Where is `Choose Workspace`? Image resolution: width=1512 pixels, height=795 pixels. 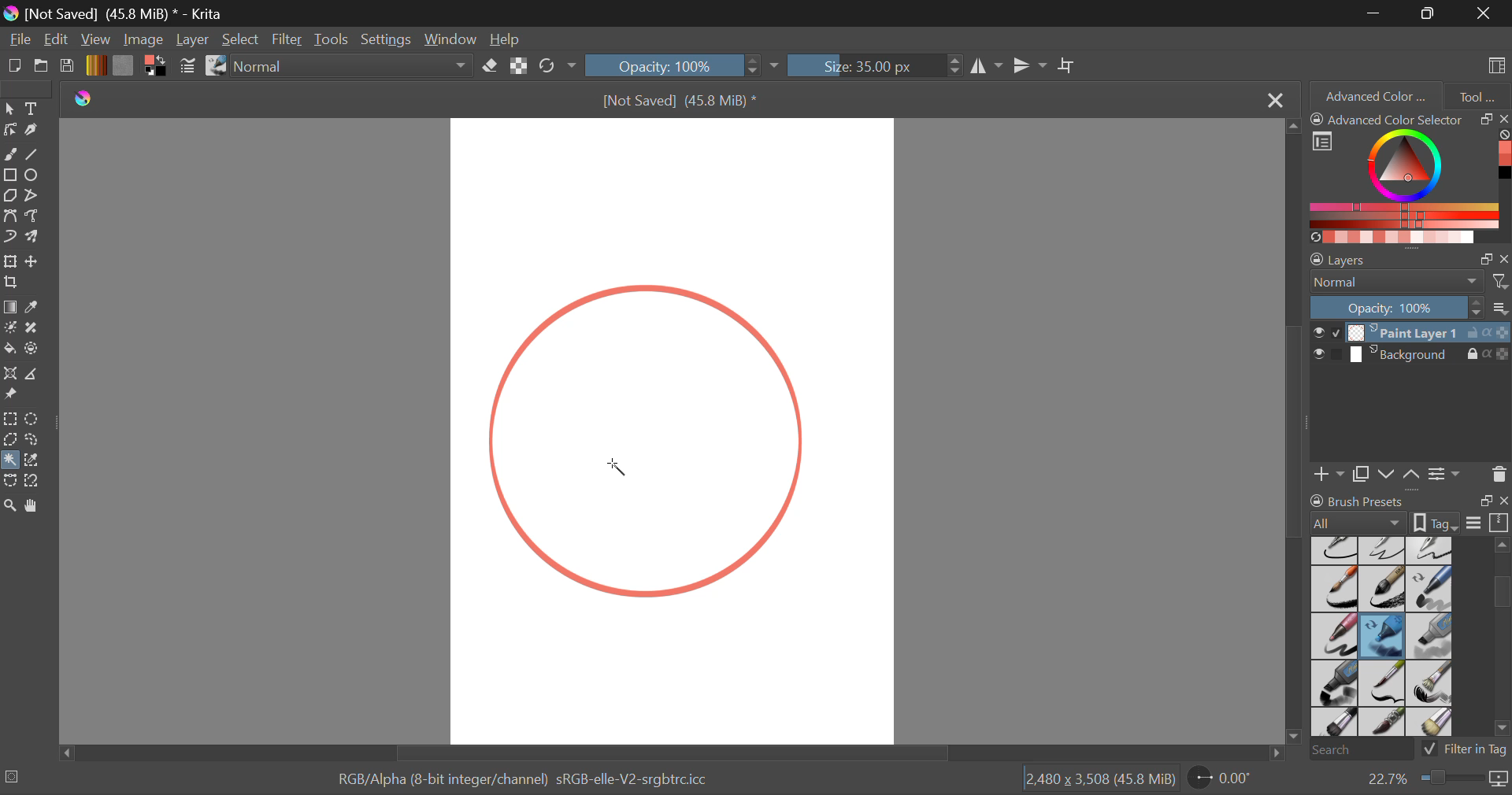
Choose Workspace is located at coordinates (1494, 64).